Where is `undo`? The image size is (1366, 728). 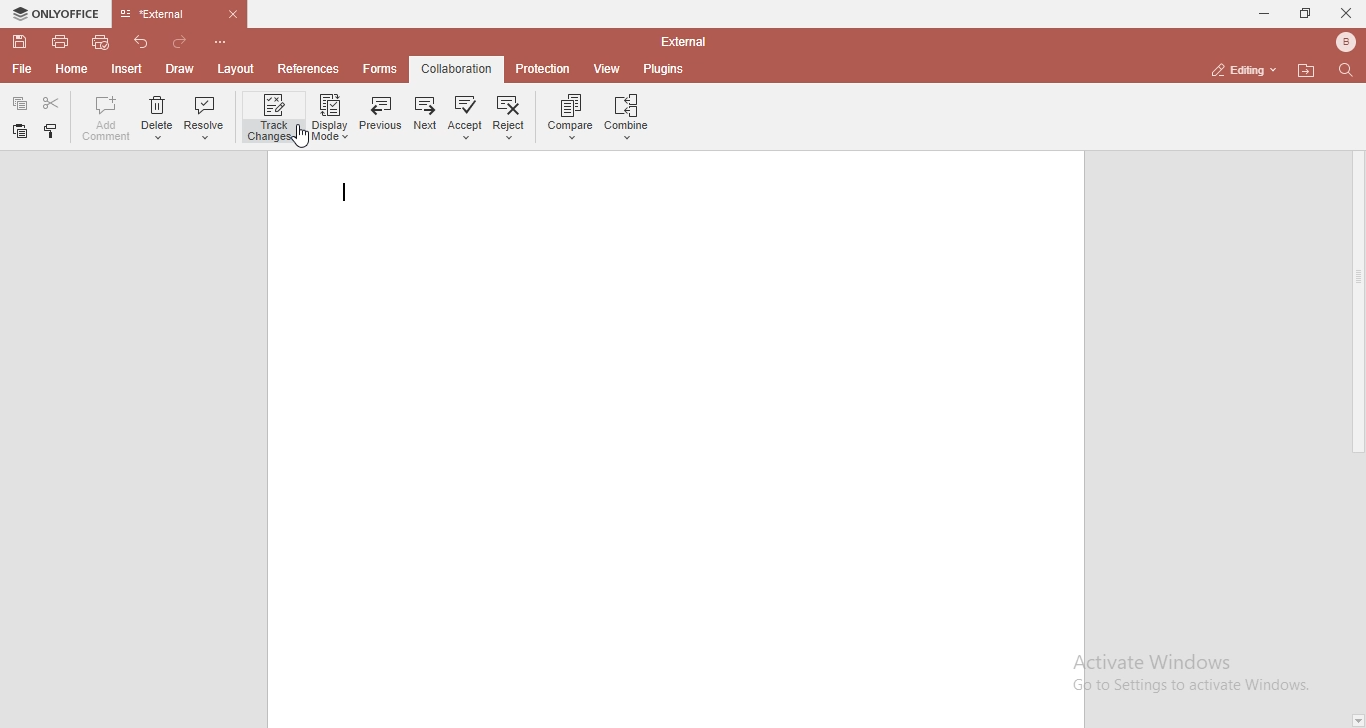
undo is located at coordinates (141, 42).